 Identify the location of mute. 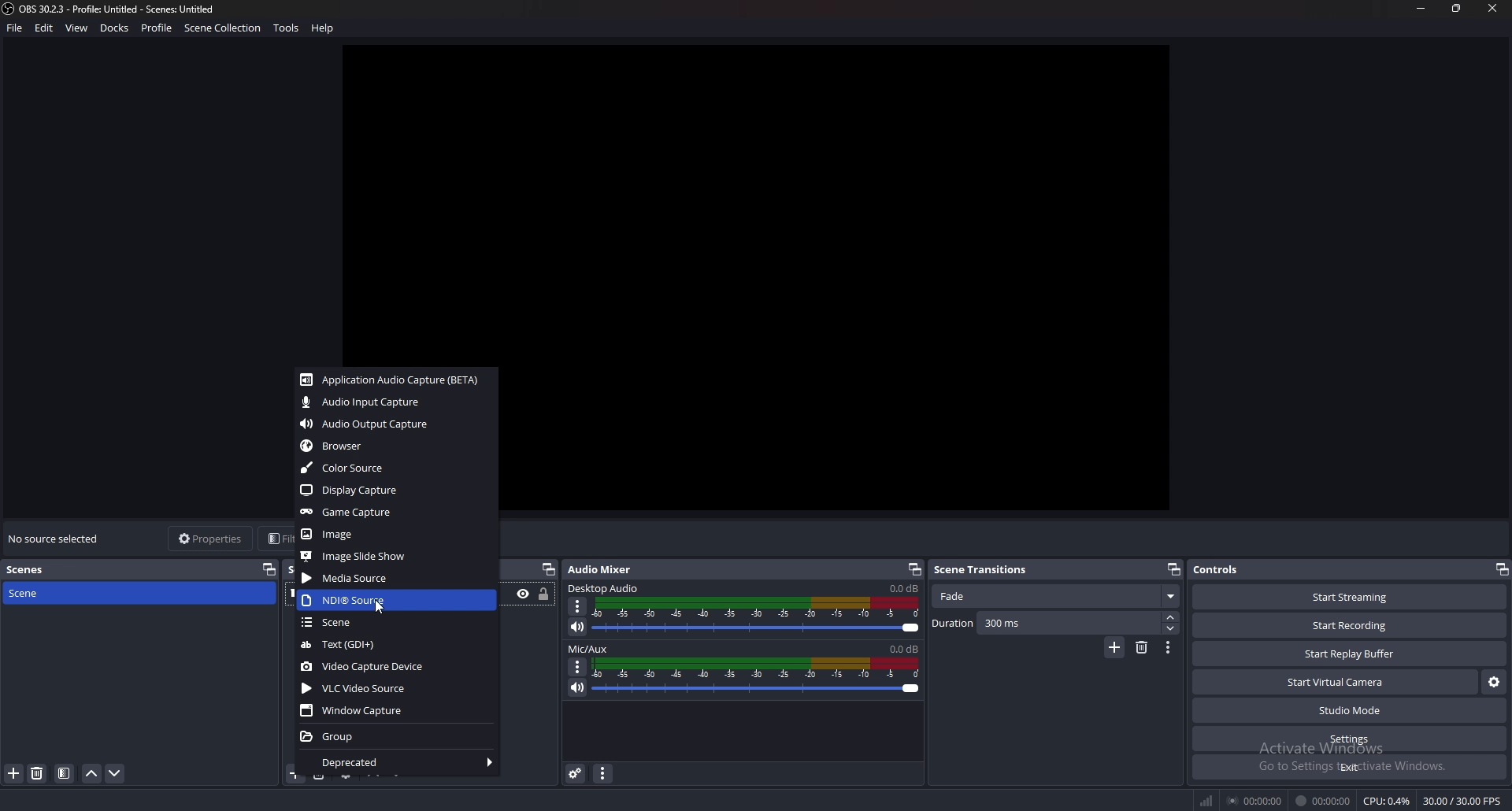
(576, 627).